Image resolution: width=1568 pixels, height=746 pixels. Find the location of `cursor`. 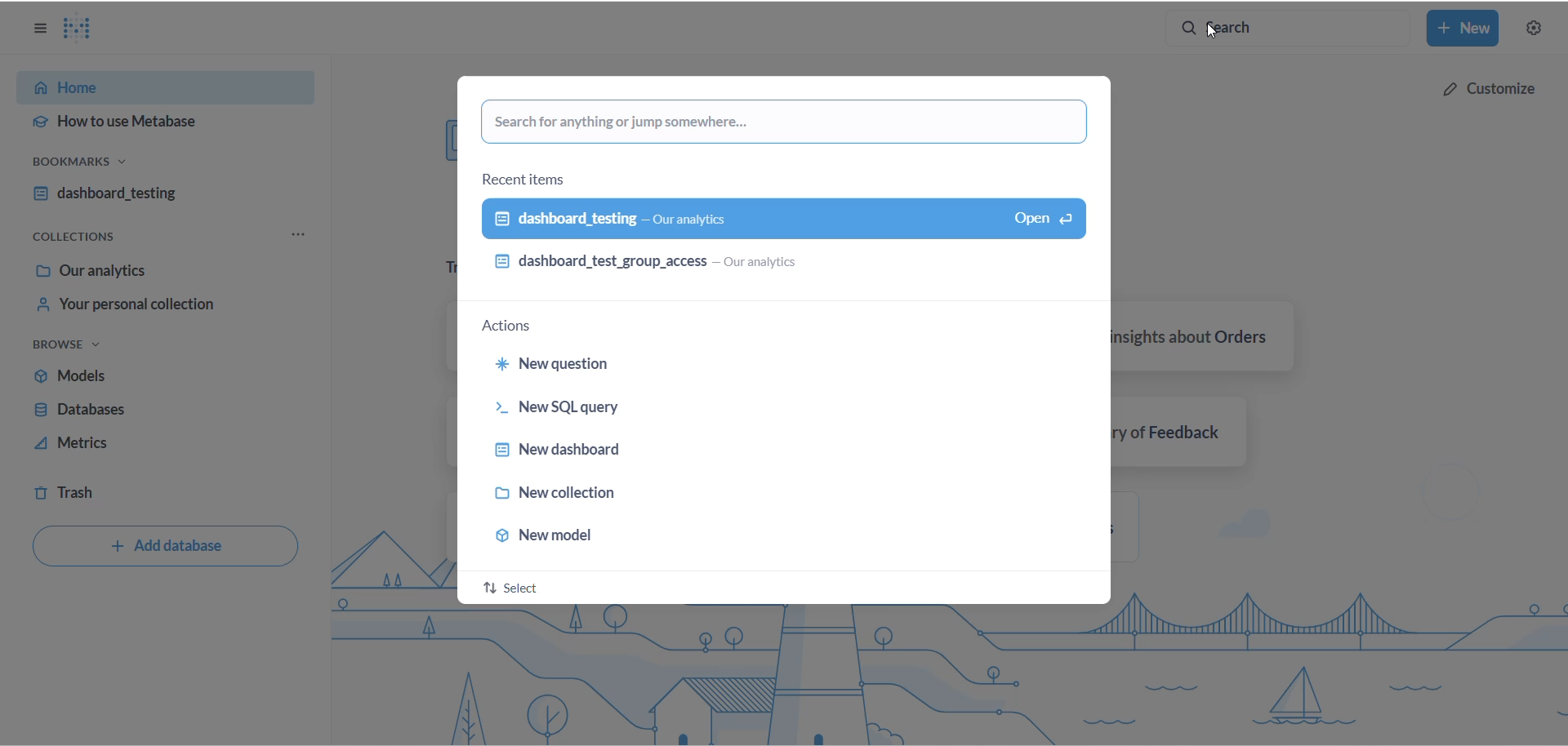

cursor is located at coordinates (1214, 31).